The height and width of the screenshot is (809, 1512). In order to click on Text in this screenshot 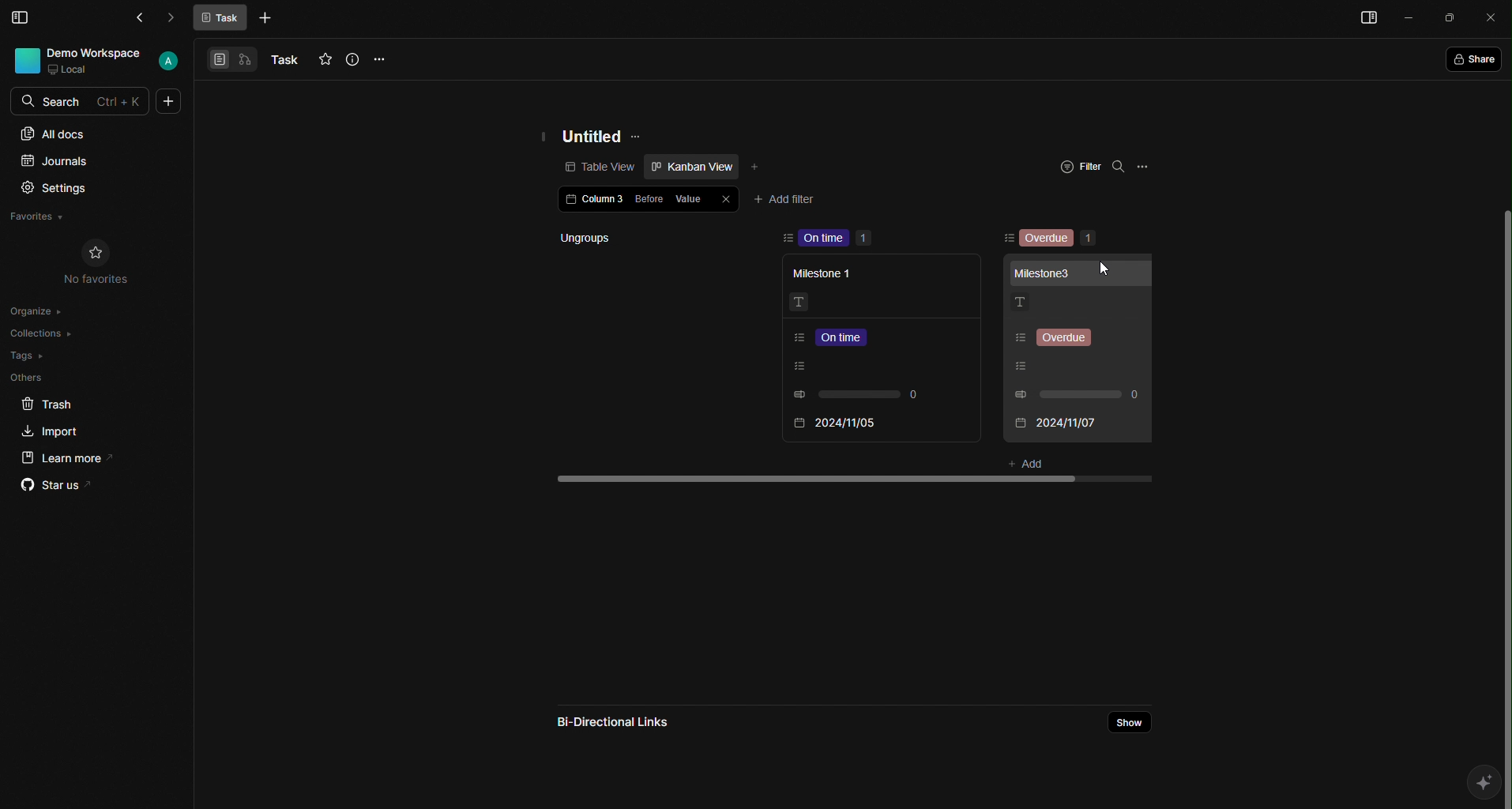, I will do `click(1020, 303)`.